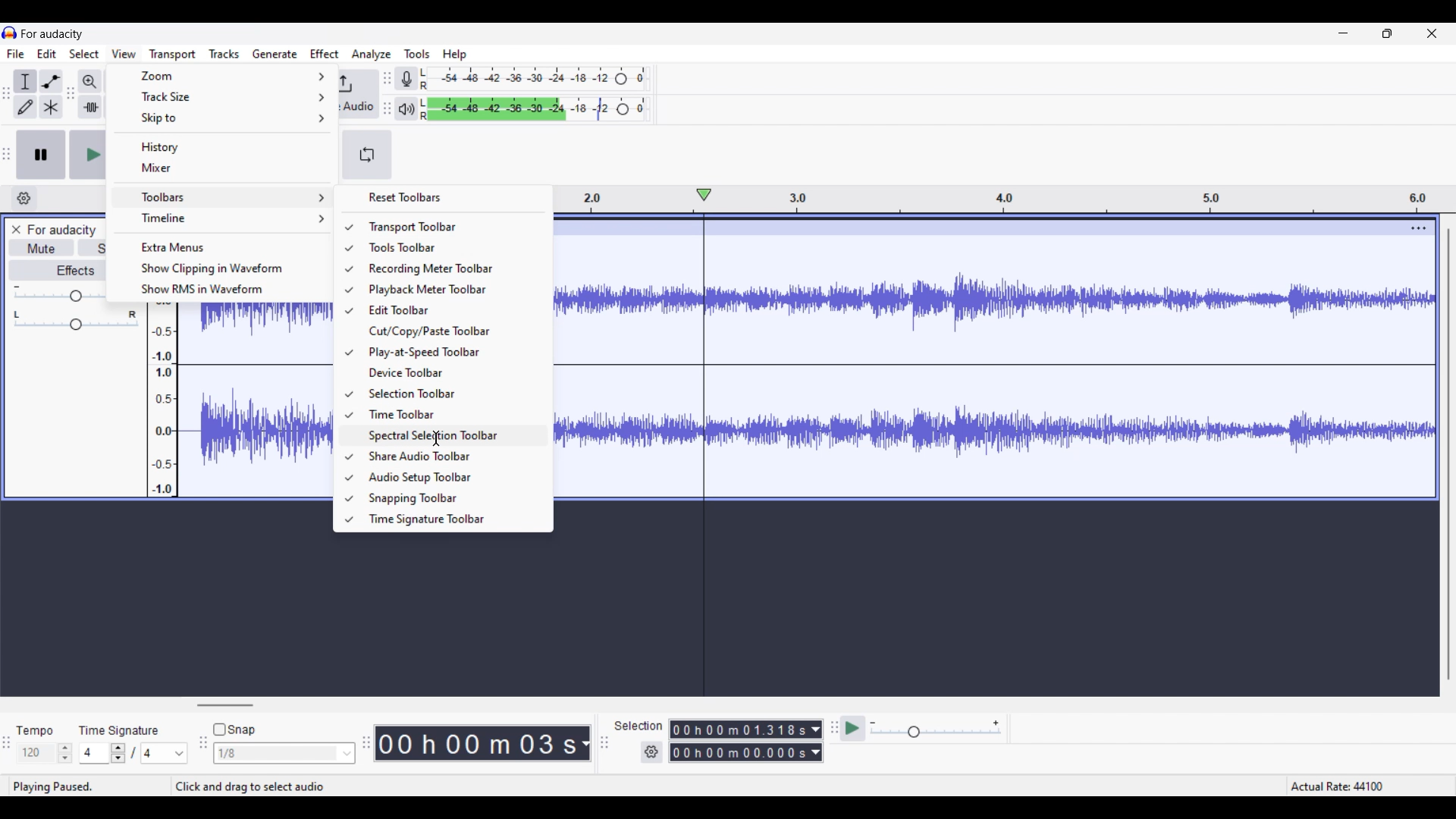 The image size is (1456, 819). I want to click on Selection toolbar, so click(451, 393).